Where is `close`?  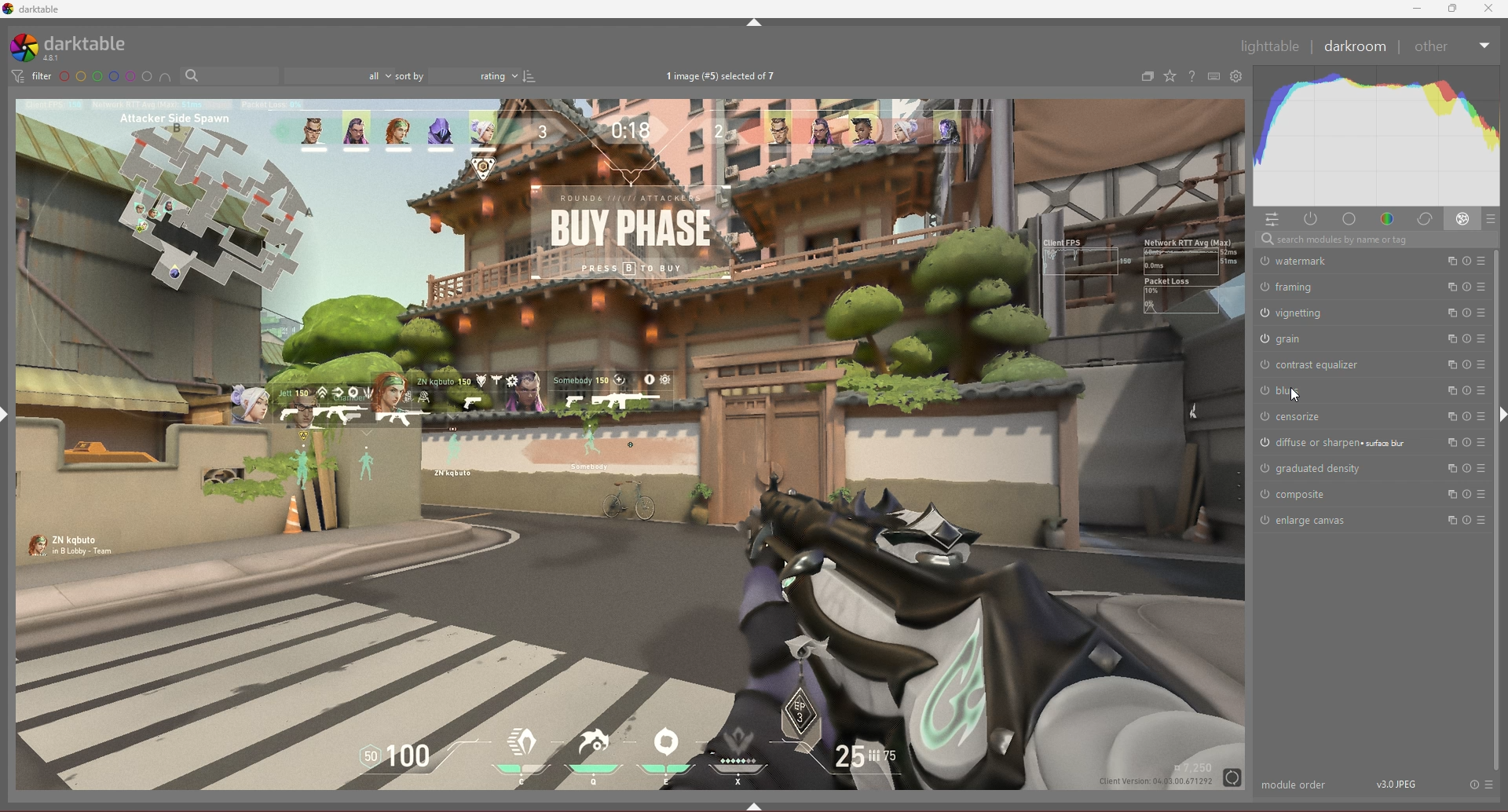
close is located at coordinates (1489, 9).